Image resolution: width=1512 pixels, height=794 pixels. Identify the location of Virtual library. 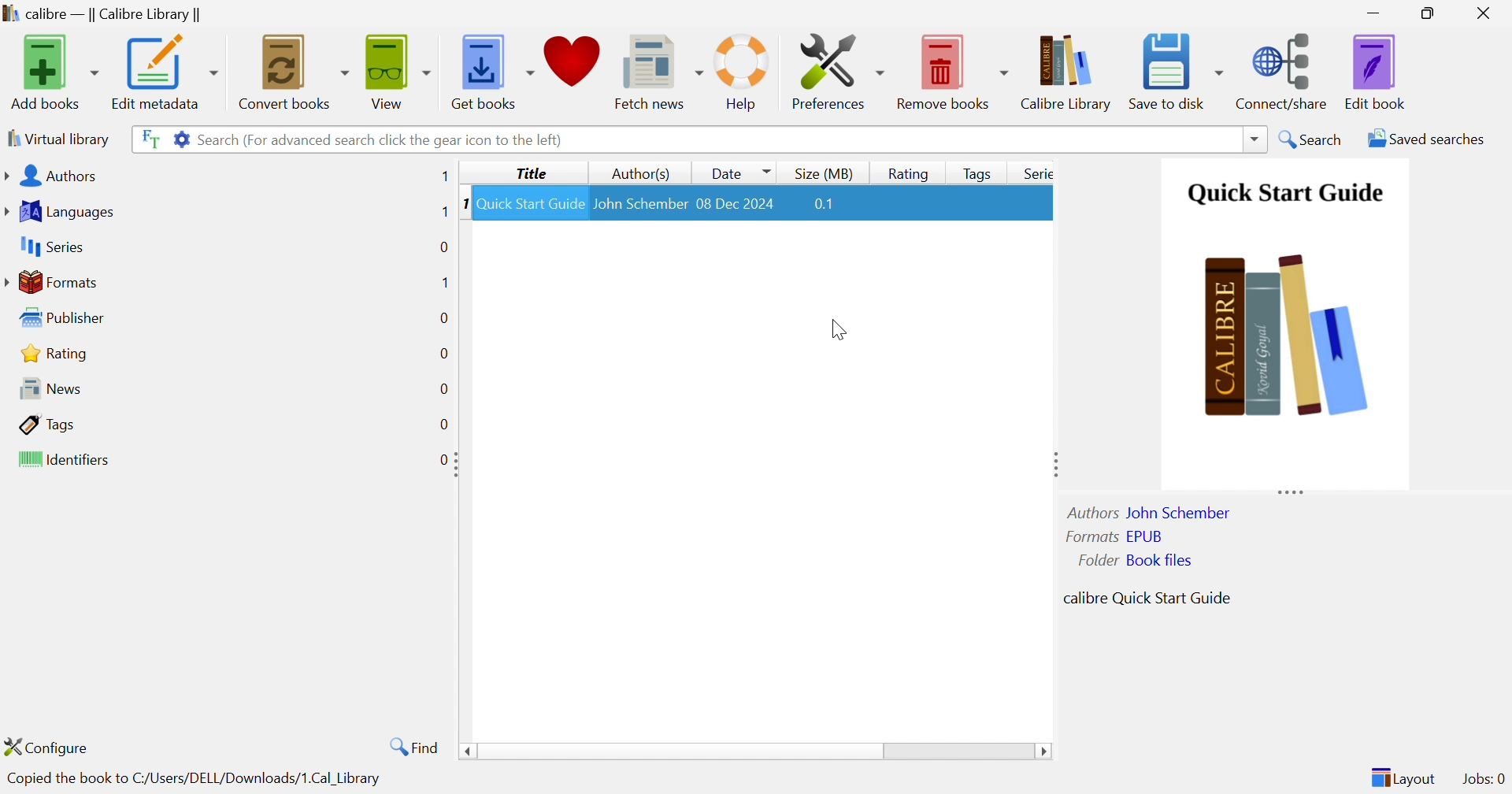
(59, 139).